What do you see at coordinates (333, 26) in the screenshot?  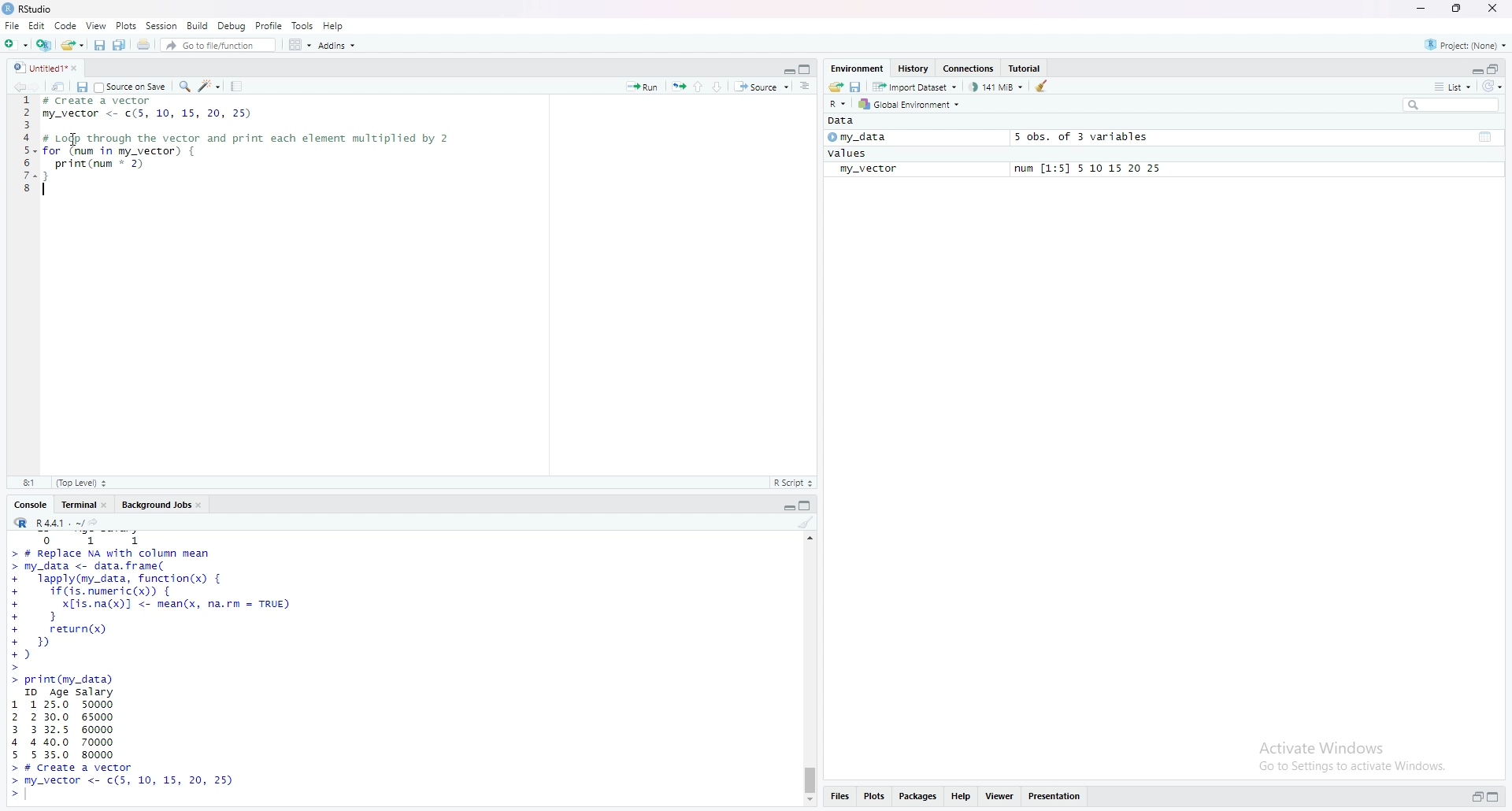 I see `help` at bounding box center [333, 26].